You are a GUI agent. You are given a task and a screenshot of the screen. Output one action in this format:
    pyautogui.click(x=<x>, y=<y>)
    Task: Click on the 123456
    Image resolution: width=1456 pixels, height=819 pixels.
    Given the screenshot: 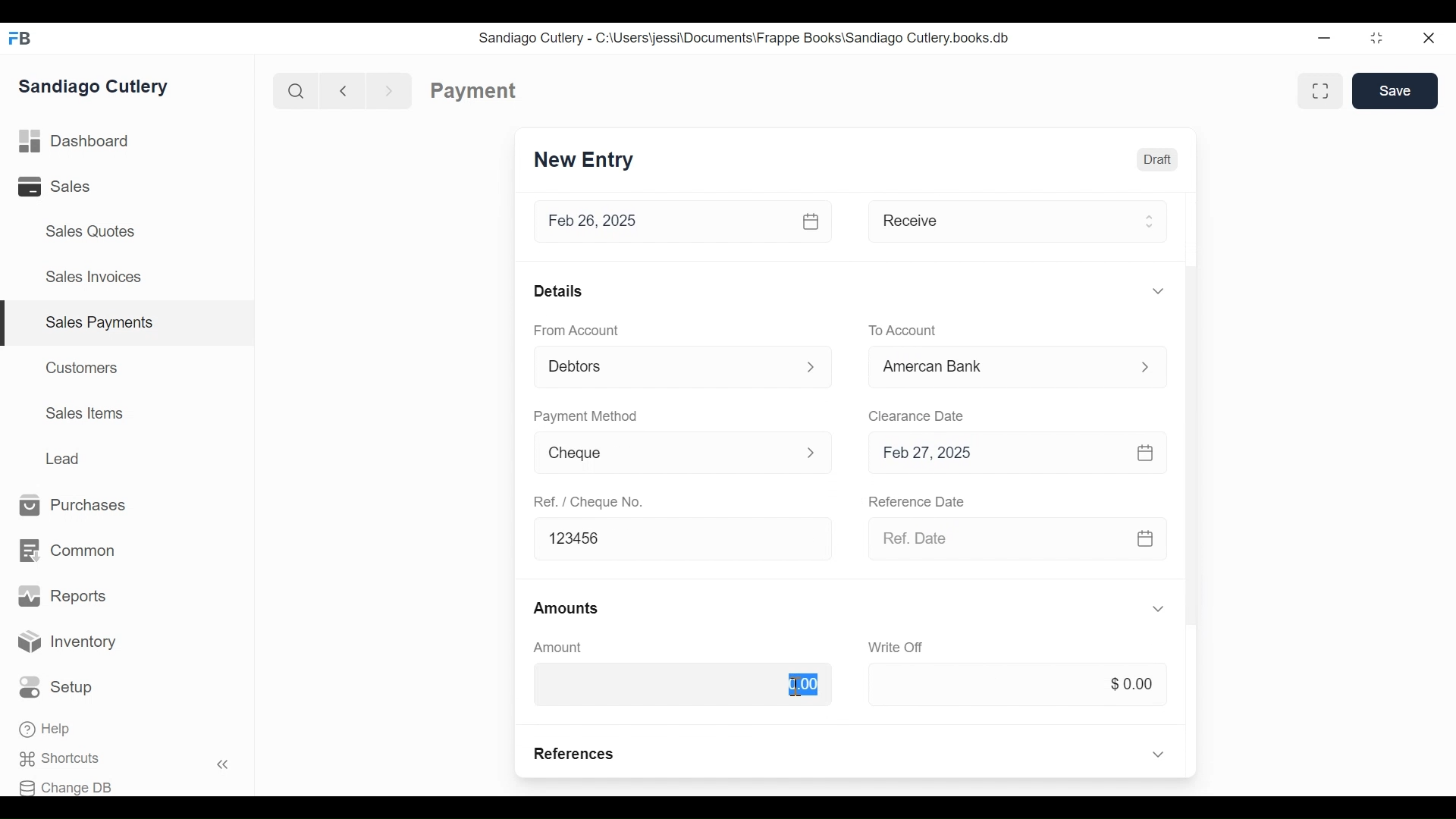 What is the action you would take?
    pyautogui.click(x=685, y=538)
    